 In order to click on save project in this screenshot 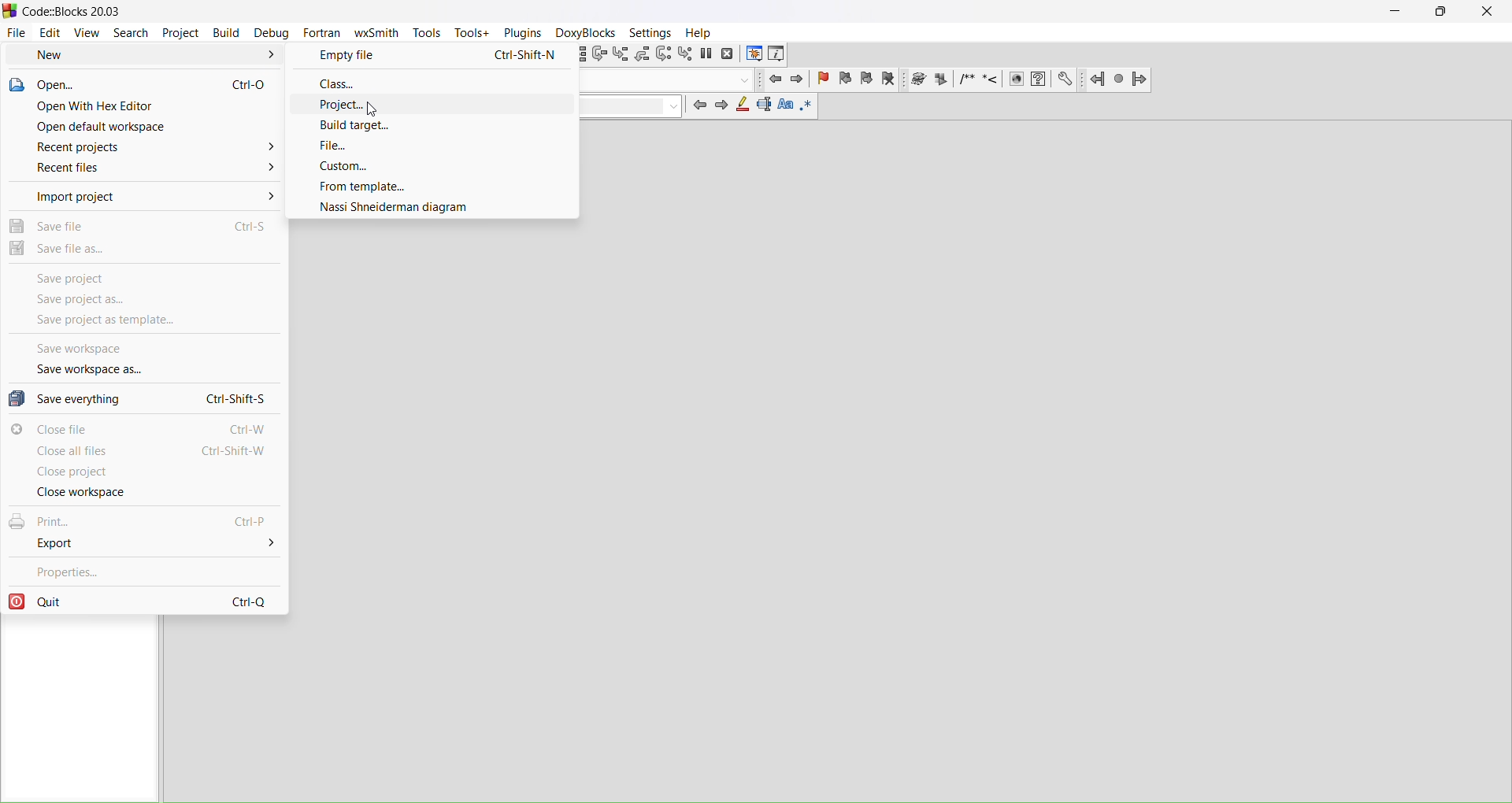, I will do `click(145, 276)`.